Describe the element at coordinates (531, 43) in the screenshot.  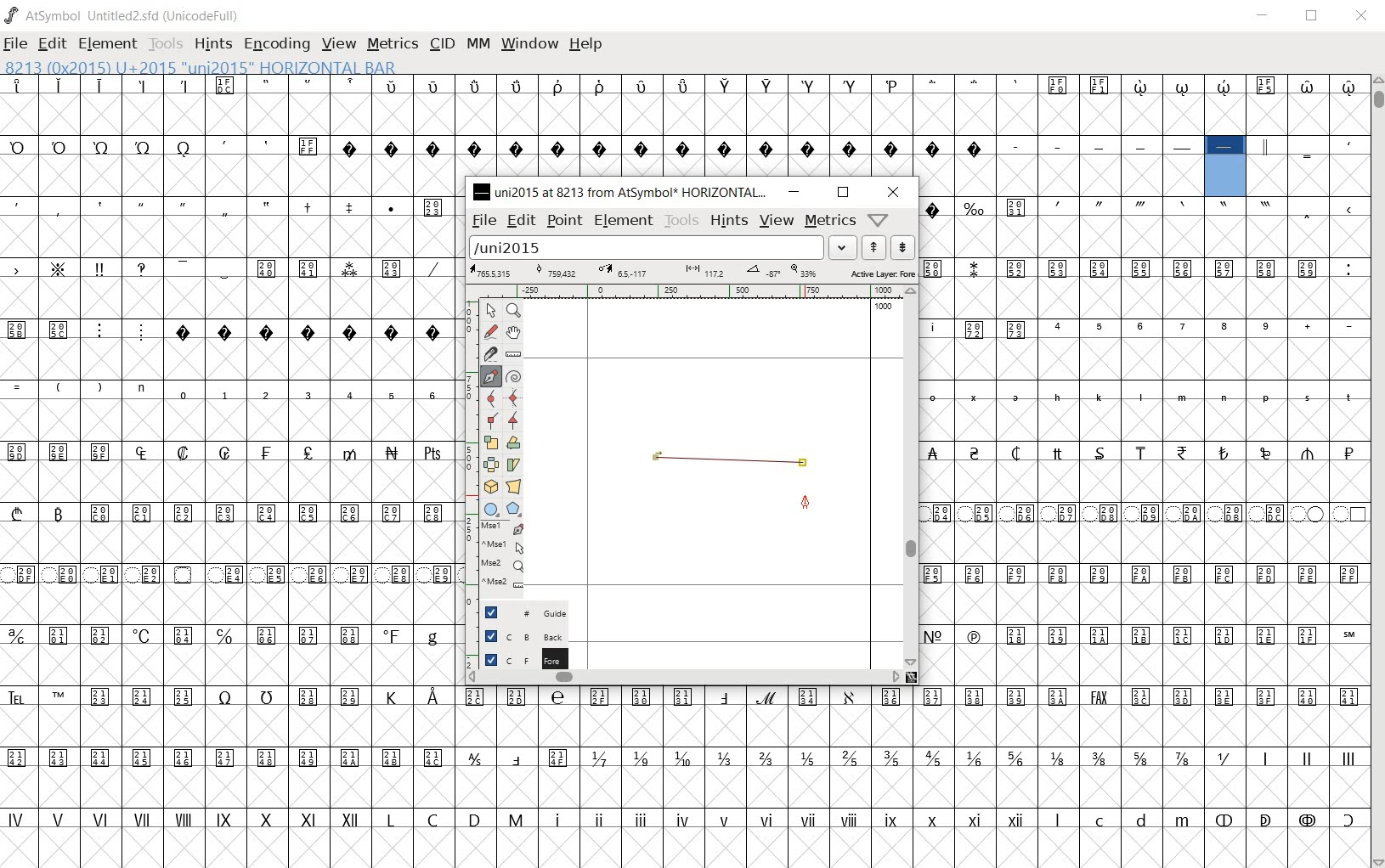
I see `WINDOW` at that location.